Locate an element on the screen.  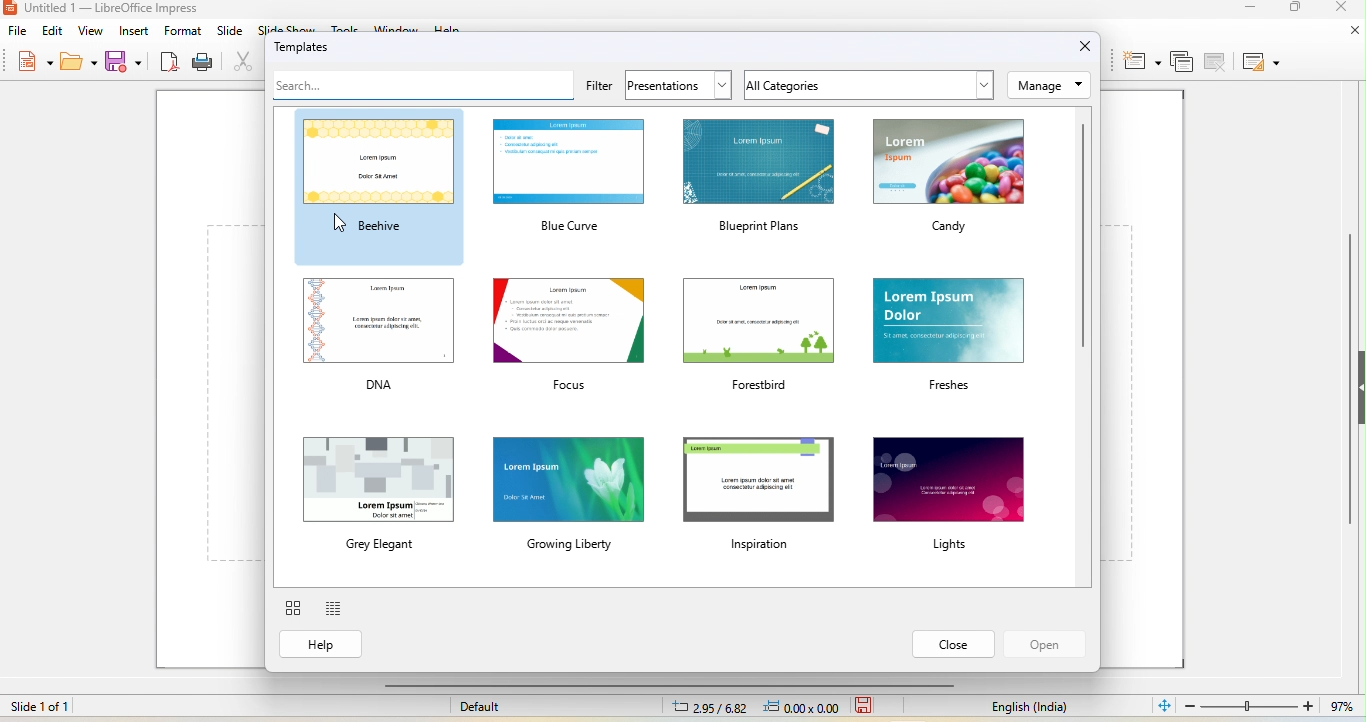
2.95/6.82 (cursor position changed) is located at coordinates (709, 708).